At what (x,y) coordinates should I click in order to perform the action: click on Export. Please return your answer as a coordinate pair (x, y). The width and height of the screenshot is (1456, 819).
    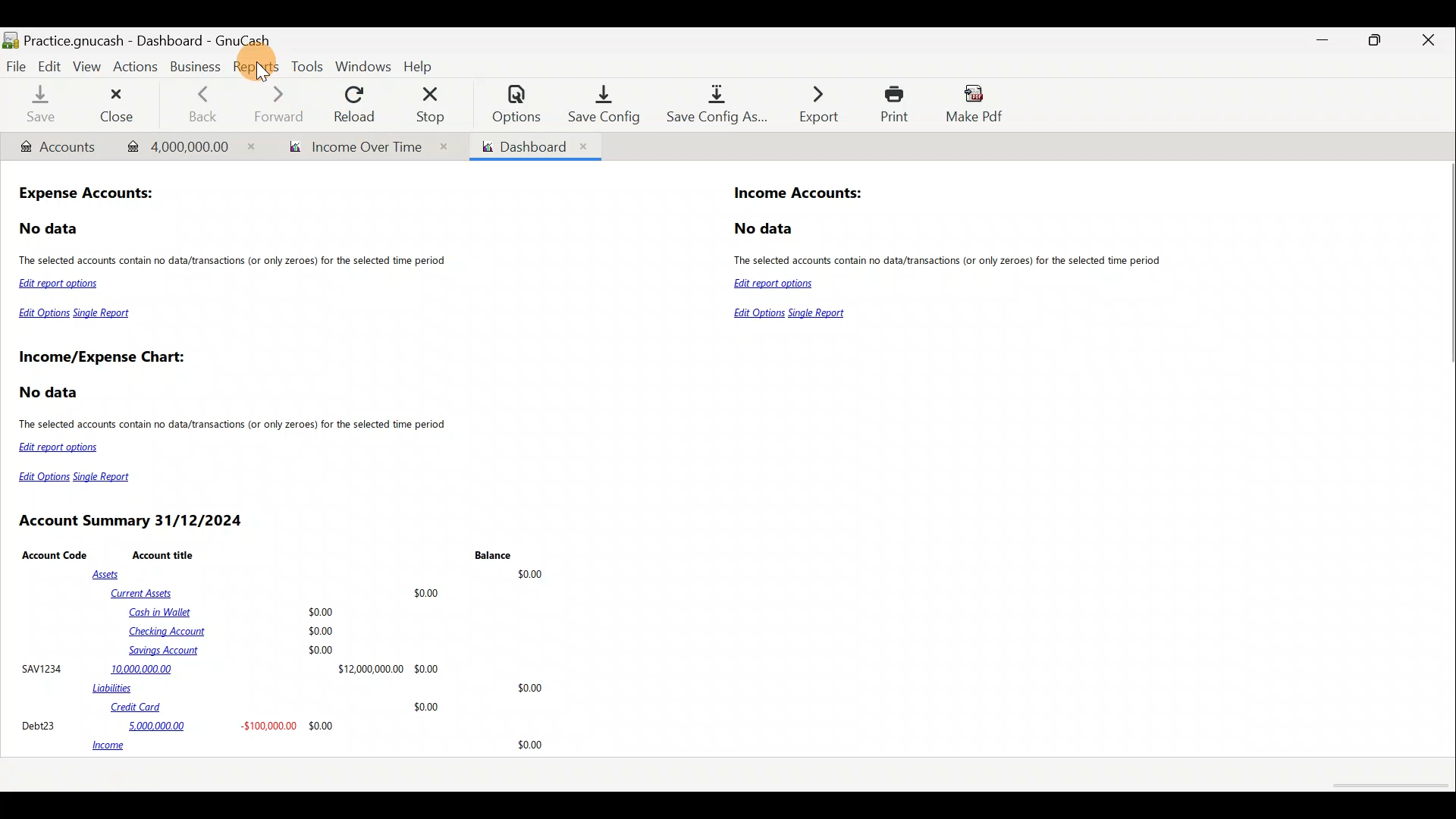
    Looking at the image, I should click on (811, 104).